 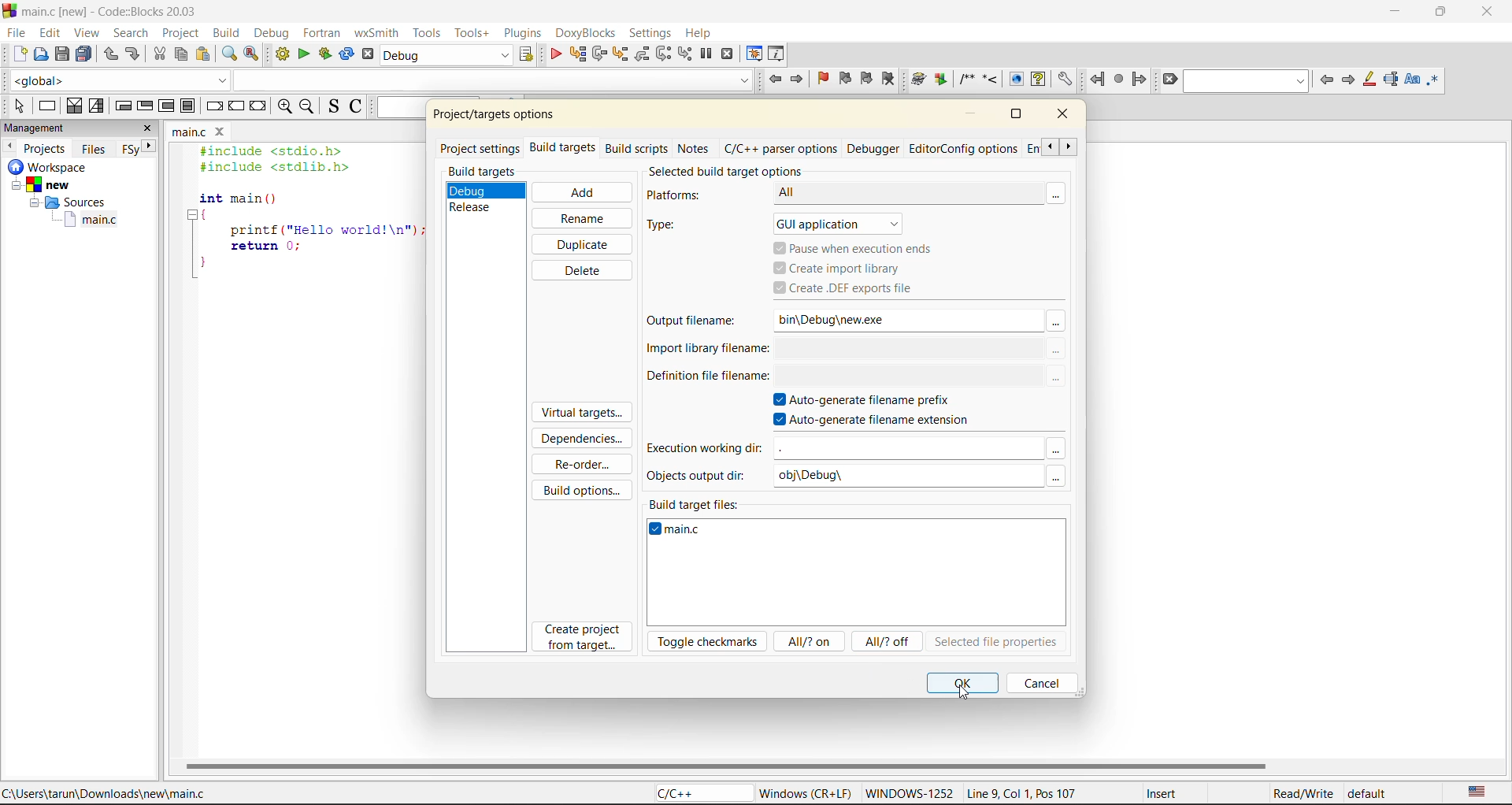 I want to click on more, so click(x=1054, y=191).